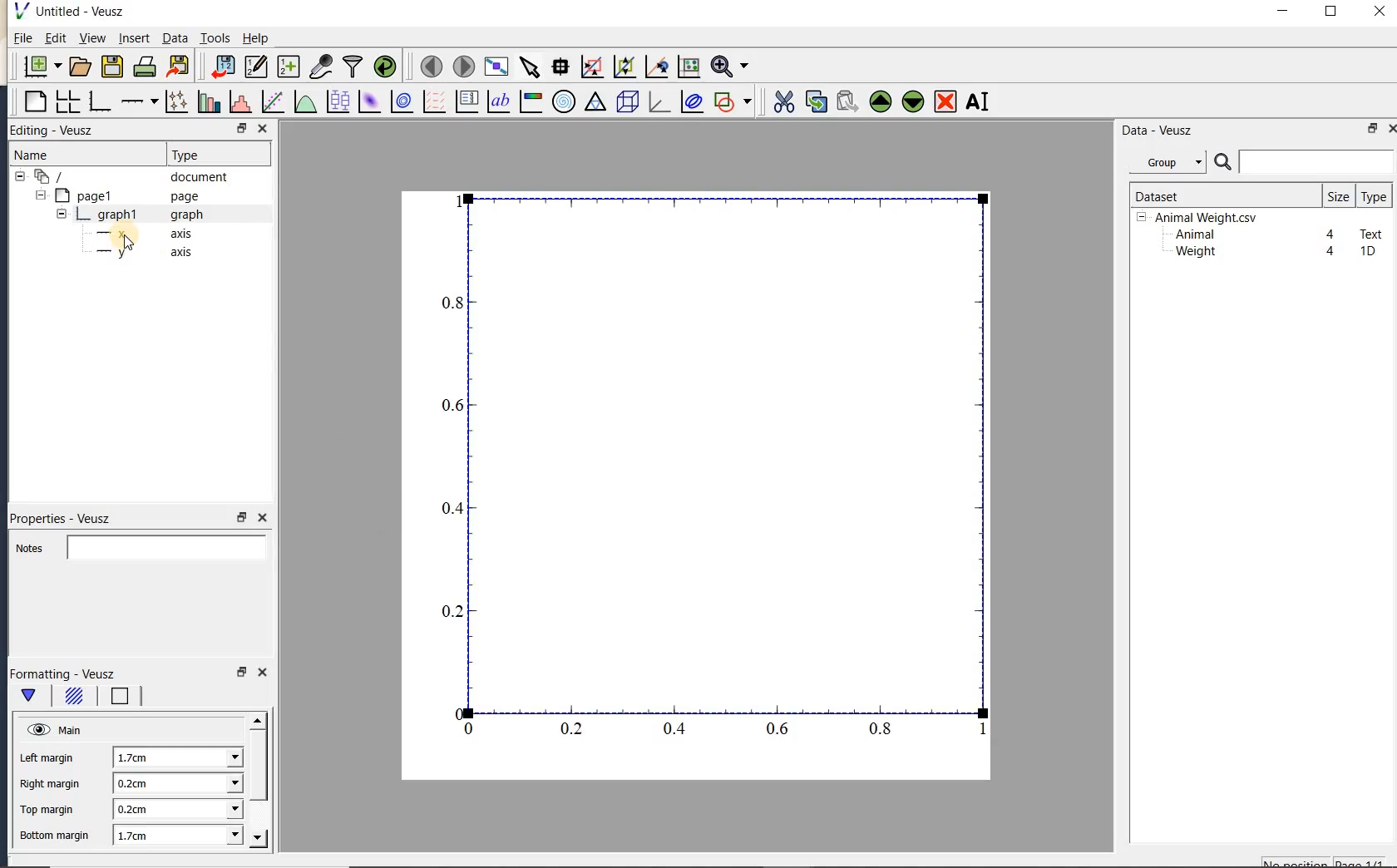 This screenshot has height=868, width=1397. I want to click on 4, so click(1331, 235).